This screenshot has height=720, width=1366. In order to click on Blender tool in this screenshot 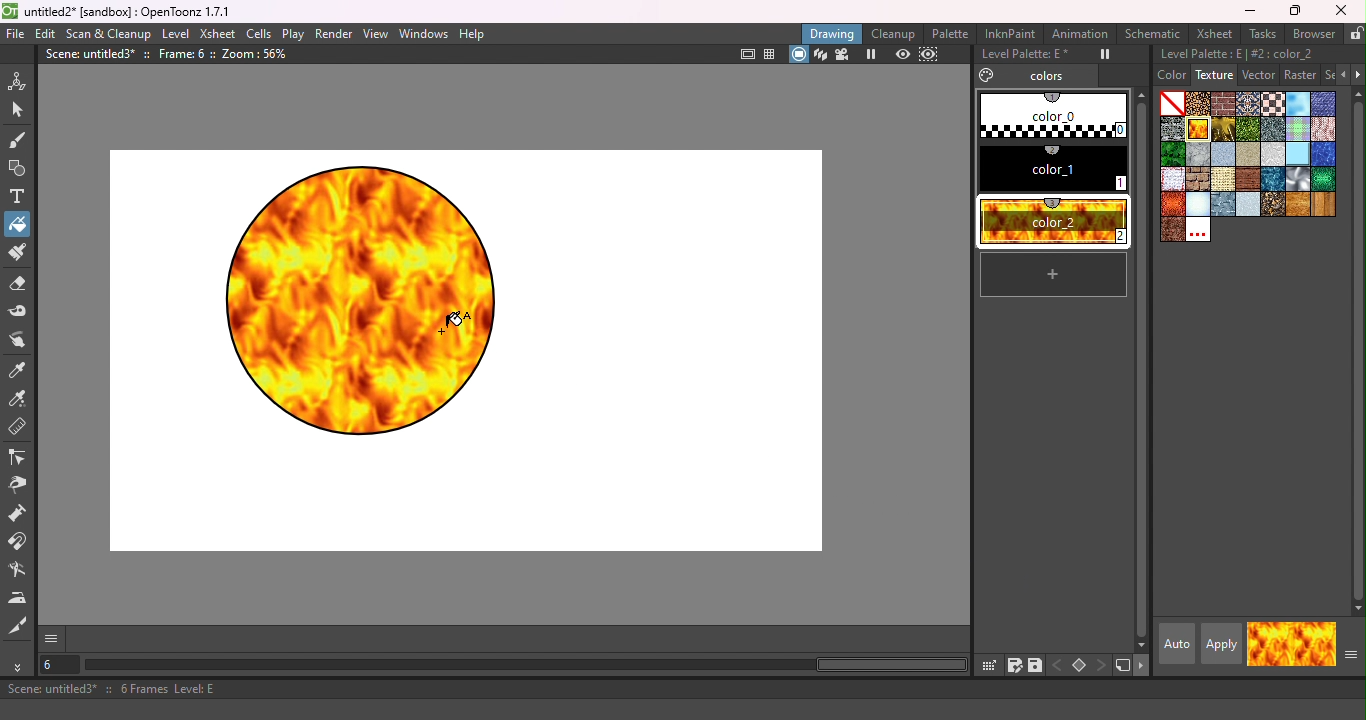, I will do `click(20, 571)`.